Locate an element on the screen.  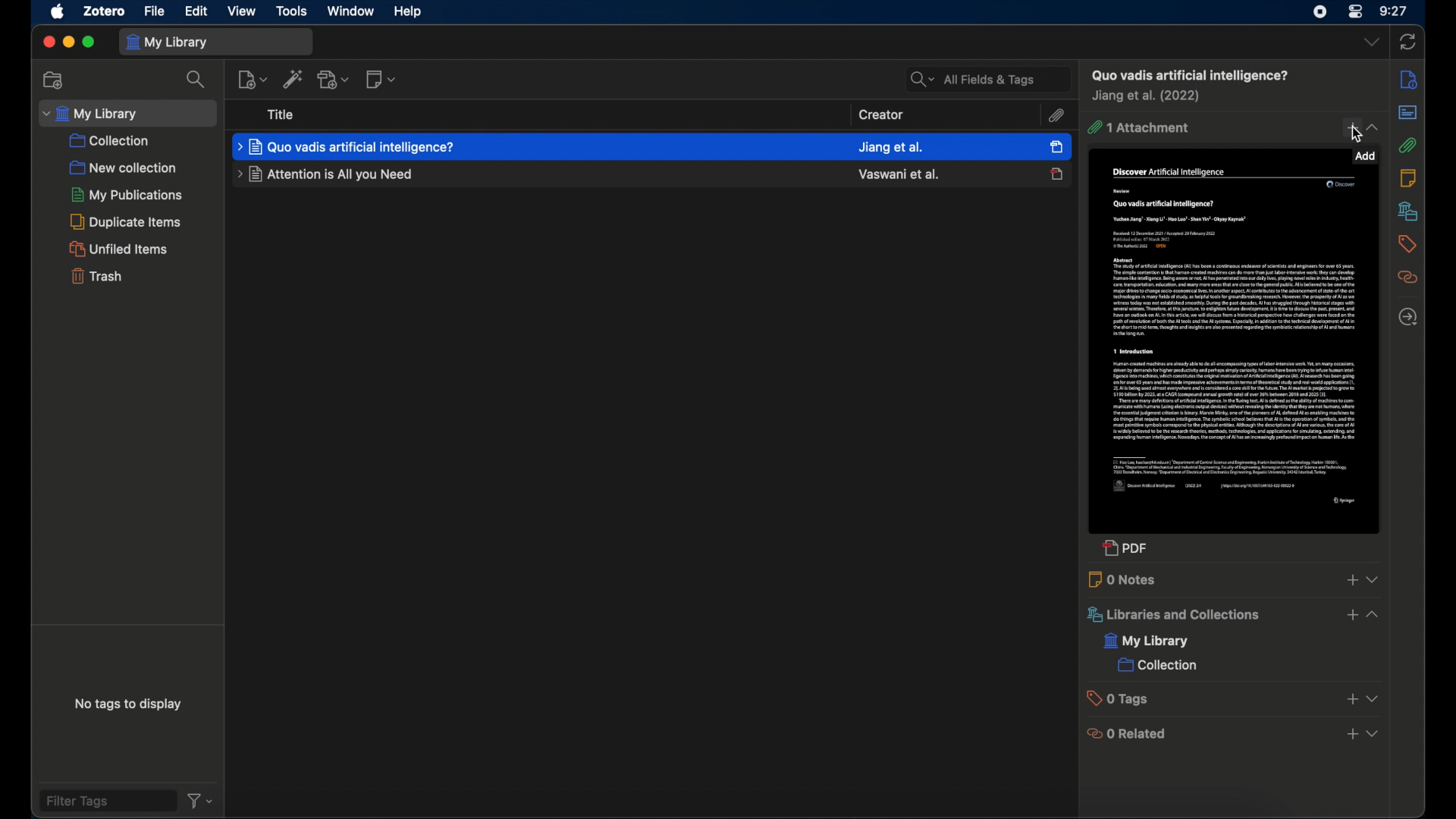
creator is located at coordinates (1148, 97).